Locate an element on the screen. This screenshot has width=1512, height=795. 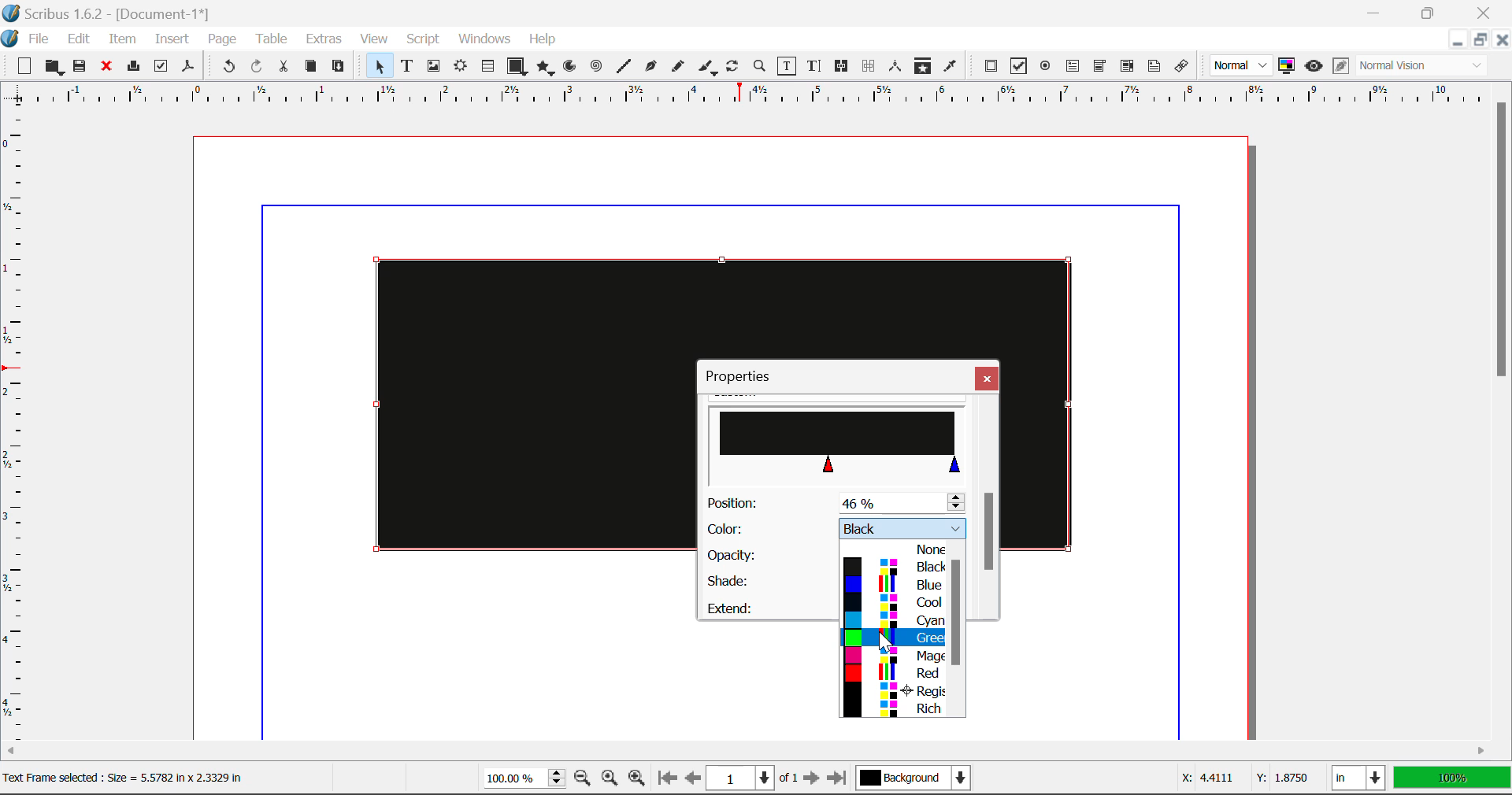
Close is located at coordinates (1487, 11).